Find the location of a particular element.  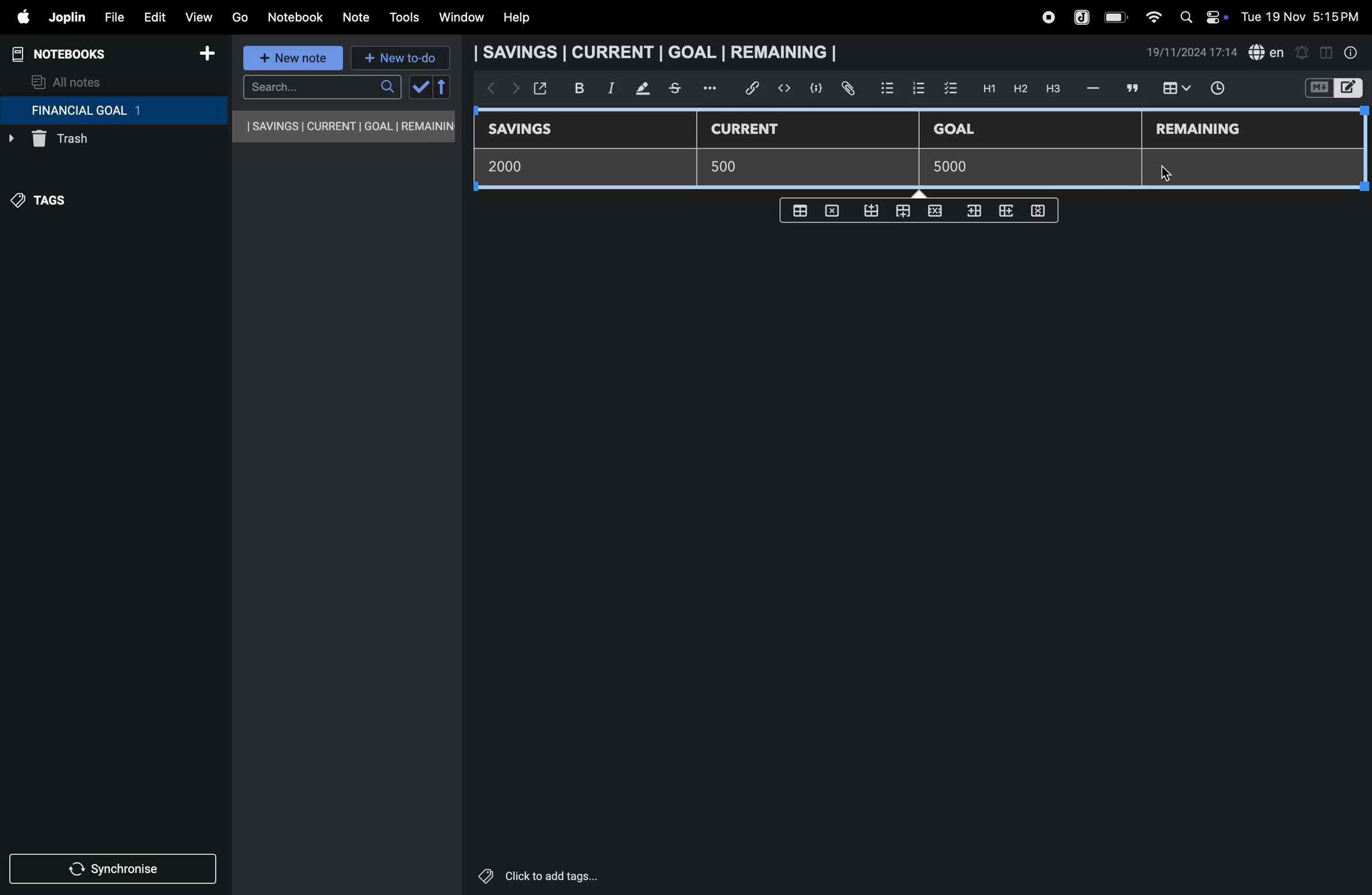

battery is located at coordinates (1117, 17).